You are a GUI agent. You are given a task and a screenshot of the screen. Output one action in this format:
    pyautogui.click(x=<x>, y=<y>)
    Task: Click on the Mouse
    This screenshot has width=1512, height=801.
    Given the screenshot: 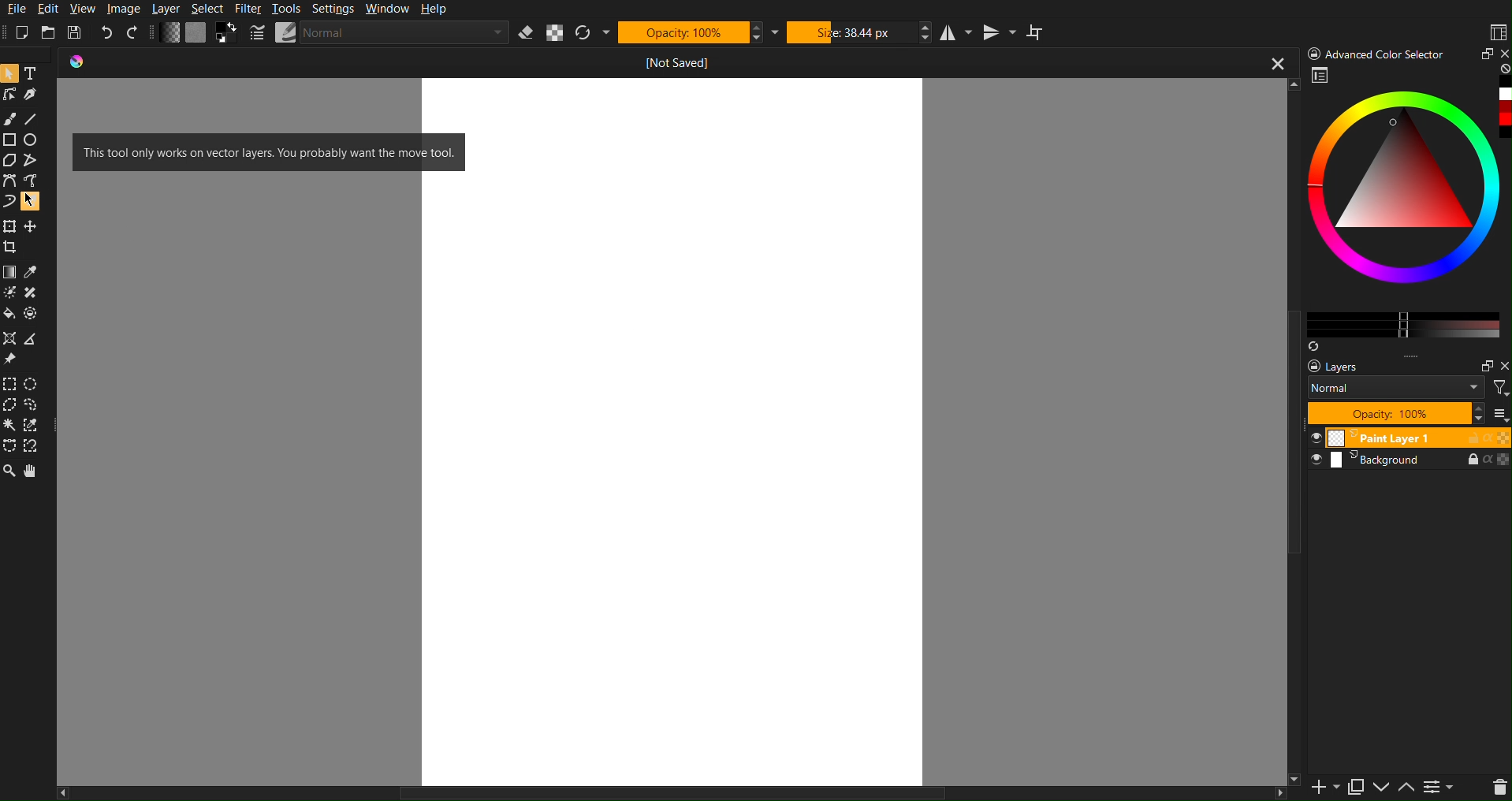 What is the action you would take?
    pyautogui.click(x=35, y=201)
    